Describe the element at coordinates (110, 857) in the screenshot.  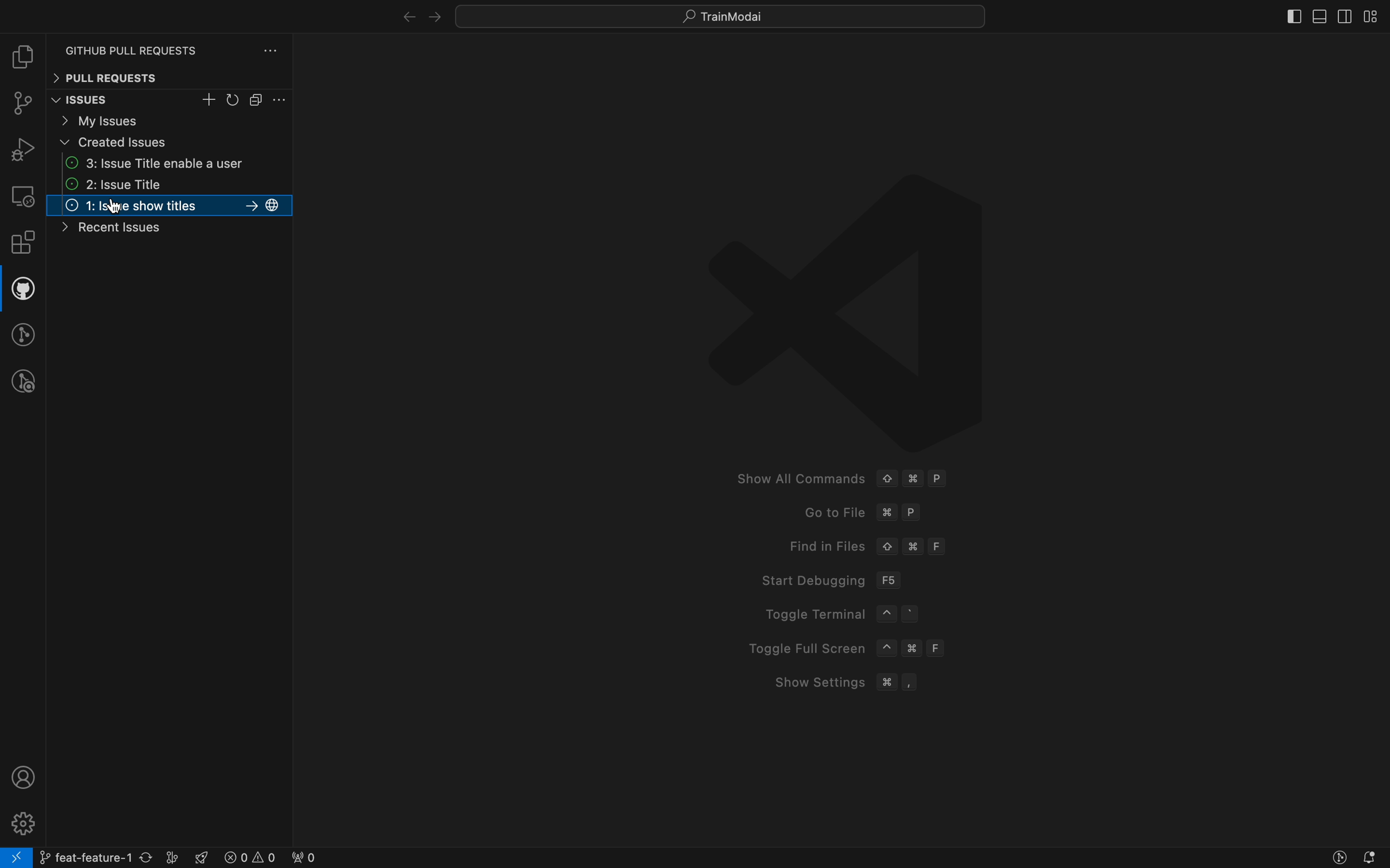
I see `current branch` at that location.